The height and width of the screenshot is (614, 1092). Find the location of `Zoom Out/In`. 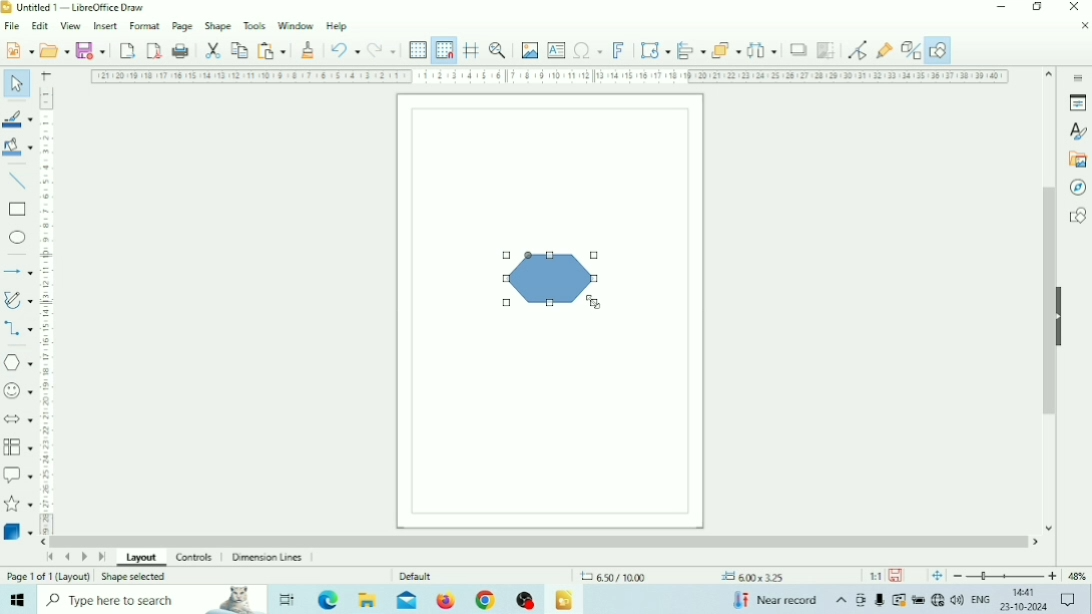

Zoom Out/In is located at coordinates (1005, 576).